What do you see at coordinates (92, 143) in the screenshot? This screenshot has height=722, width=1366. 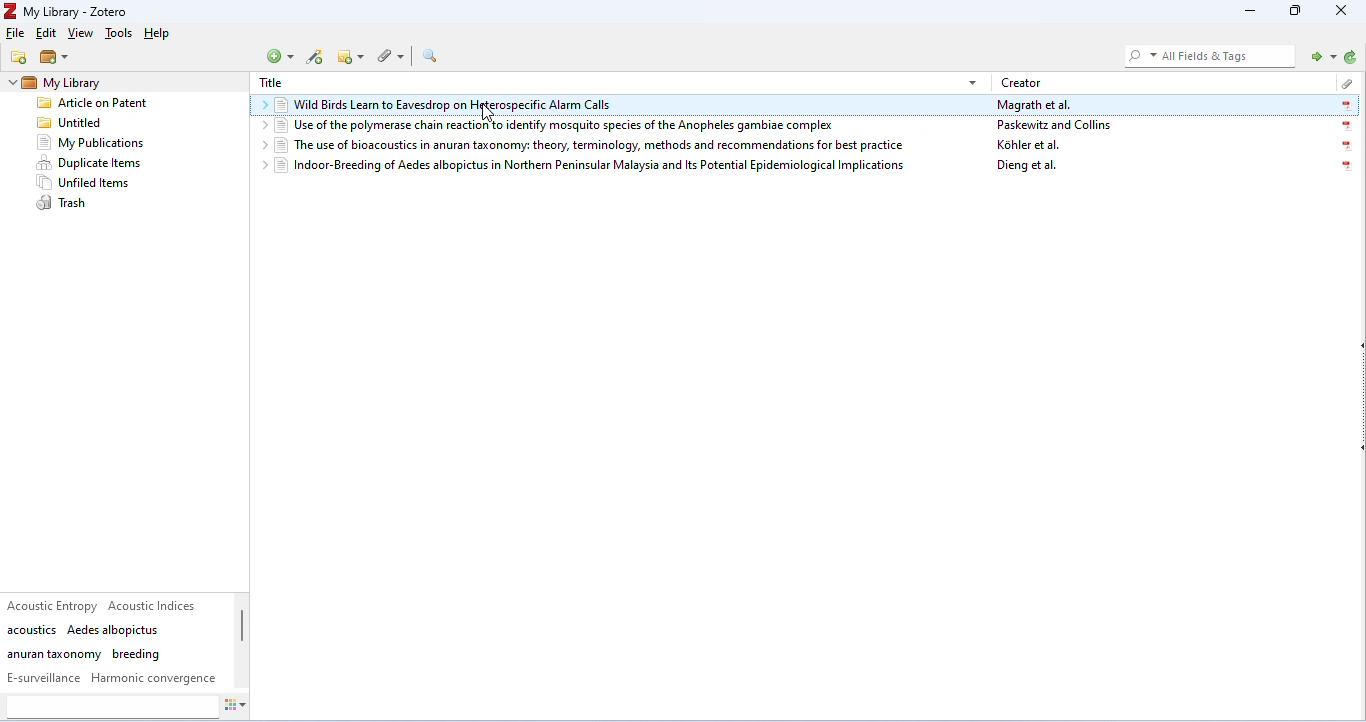 I see `my publications` at bounding box center [92, 143].